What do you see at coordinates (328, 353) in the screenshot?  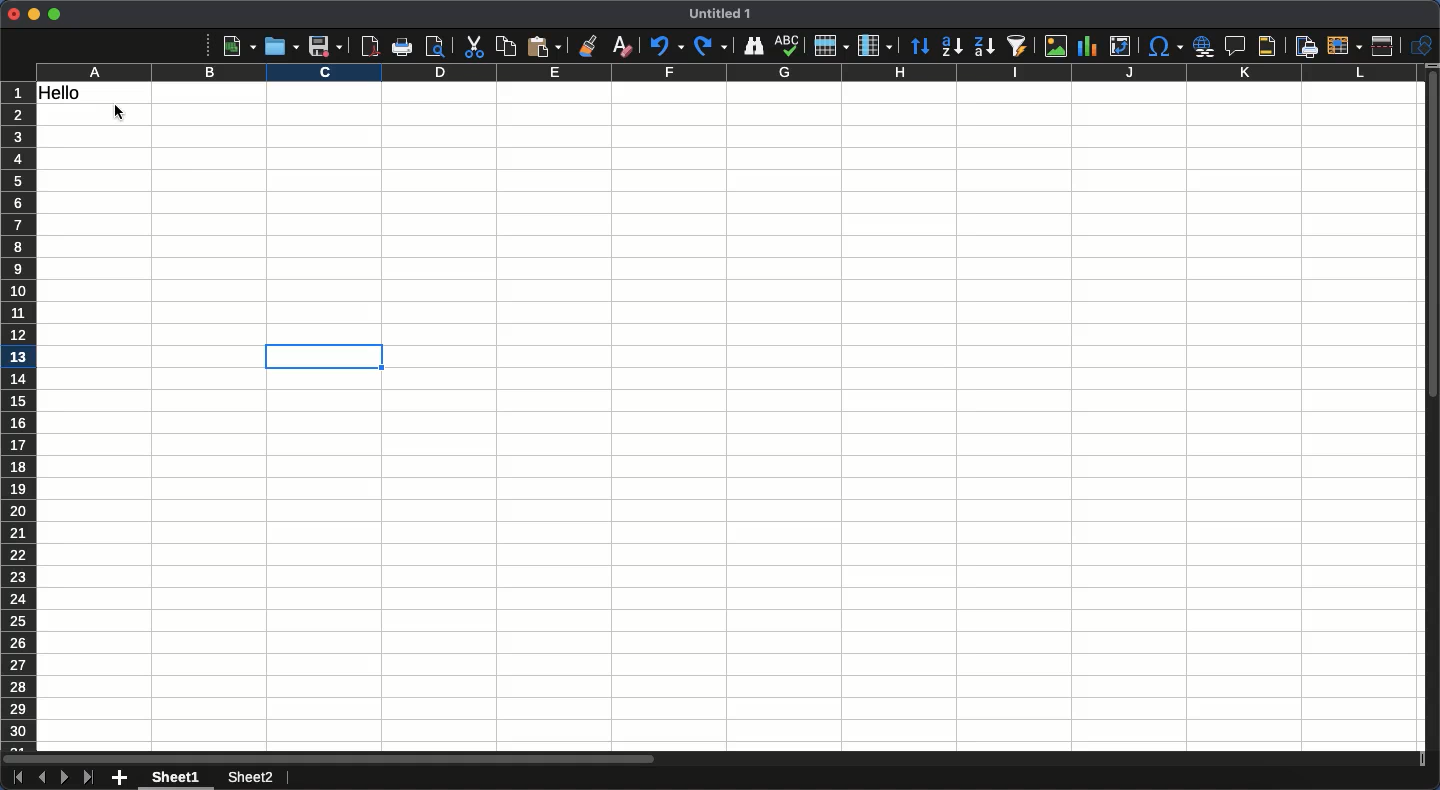 I see `Selected call` at bounding box center [328, 353].